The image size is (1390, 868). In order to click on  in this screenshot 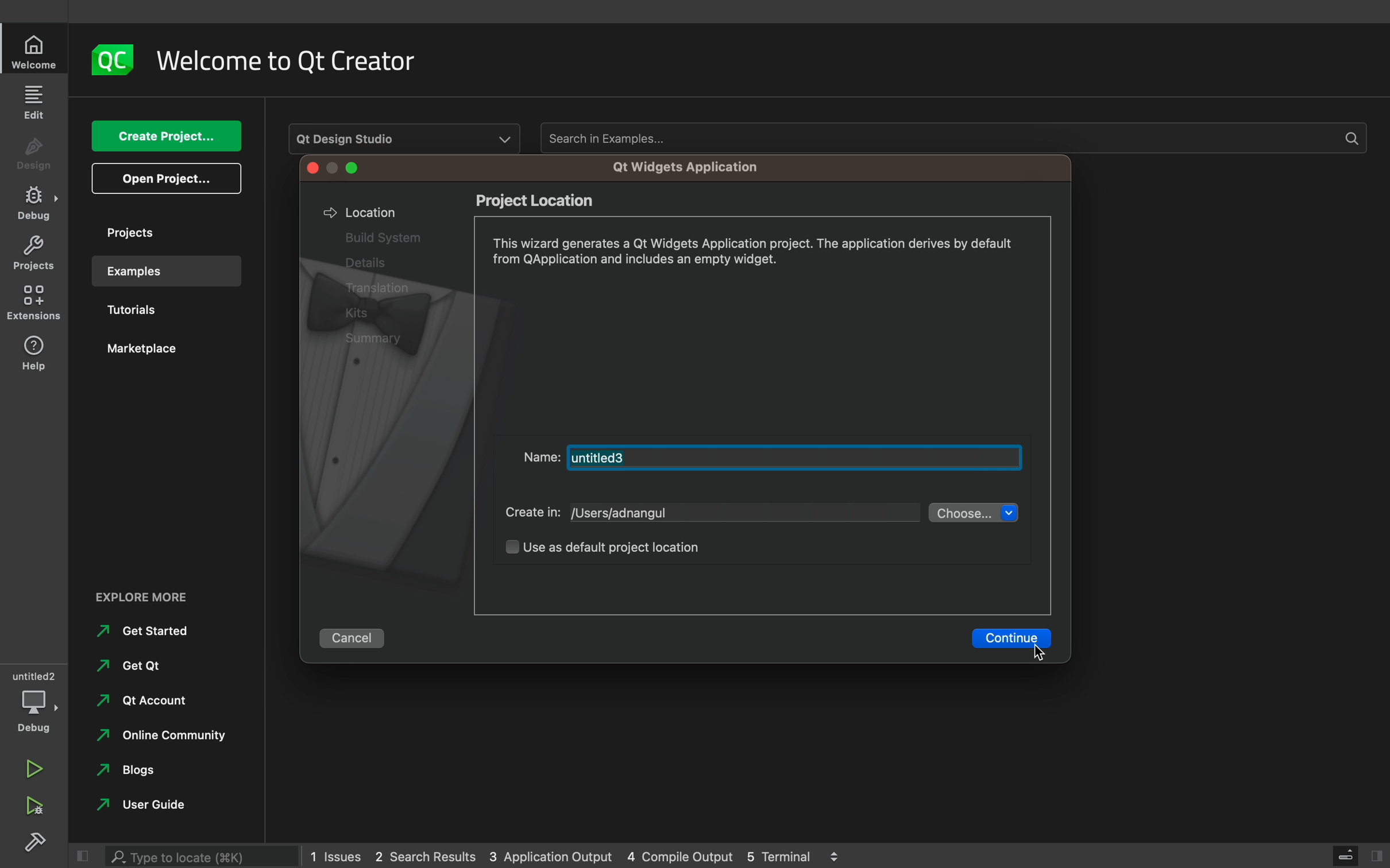, I will do `click(138, 705)`.